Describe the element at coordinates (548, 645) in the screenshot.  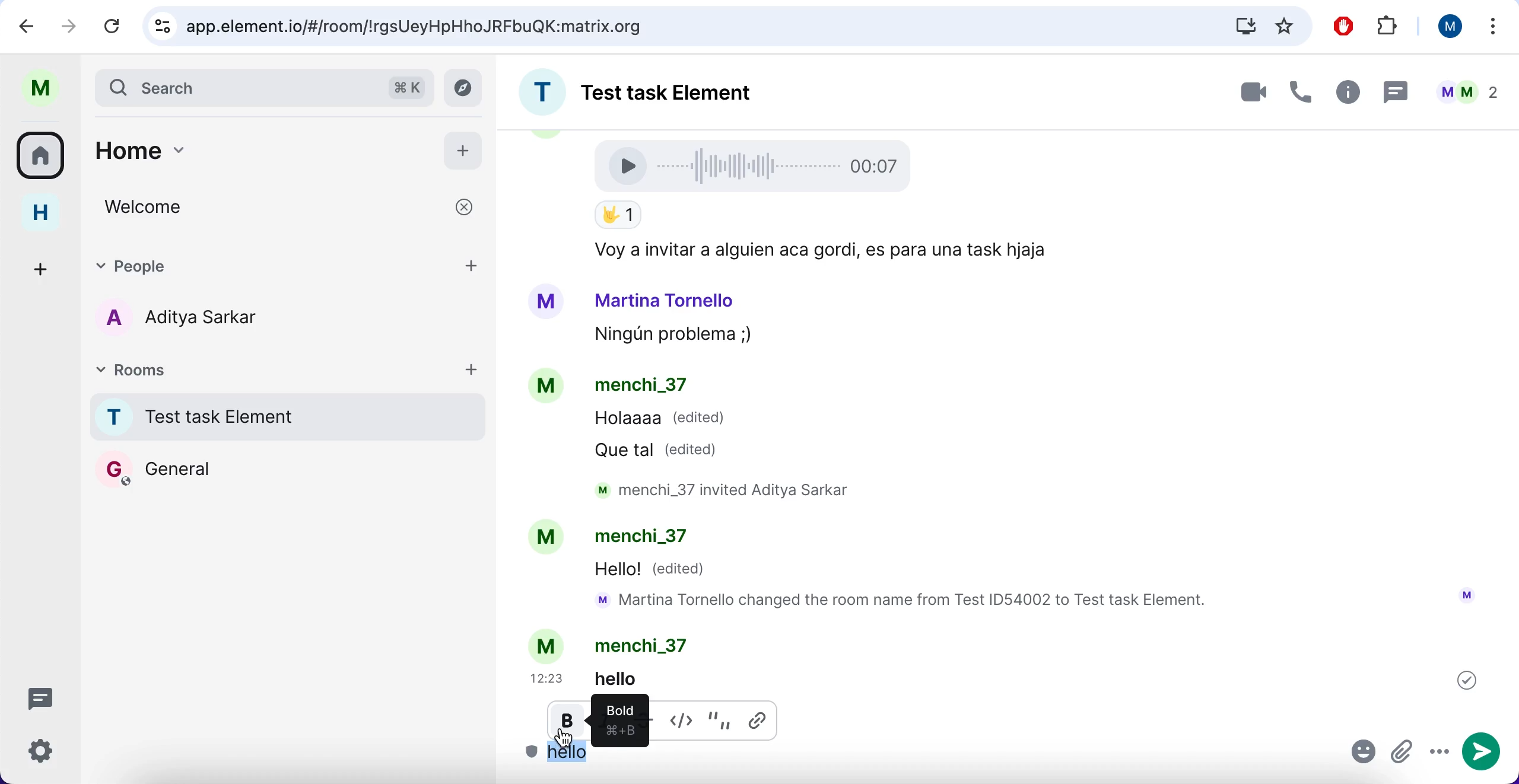
I see `Avatar` at that location.